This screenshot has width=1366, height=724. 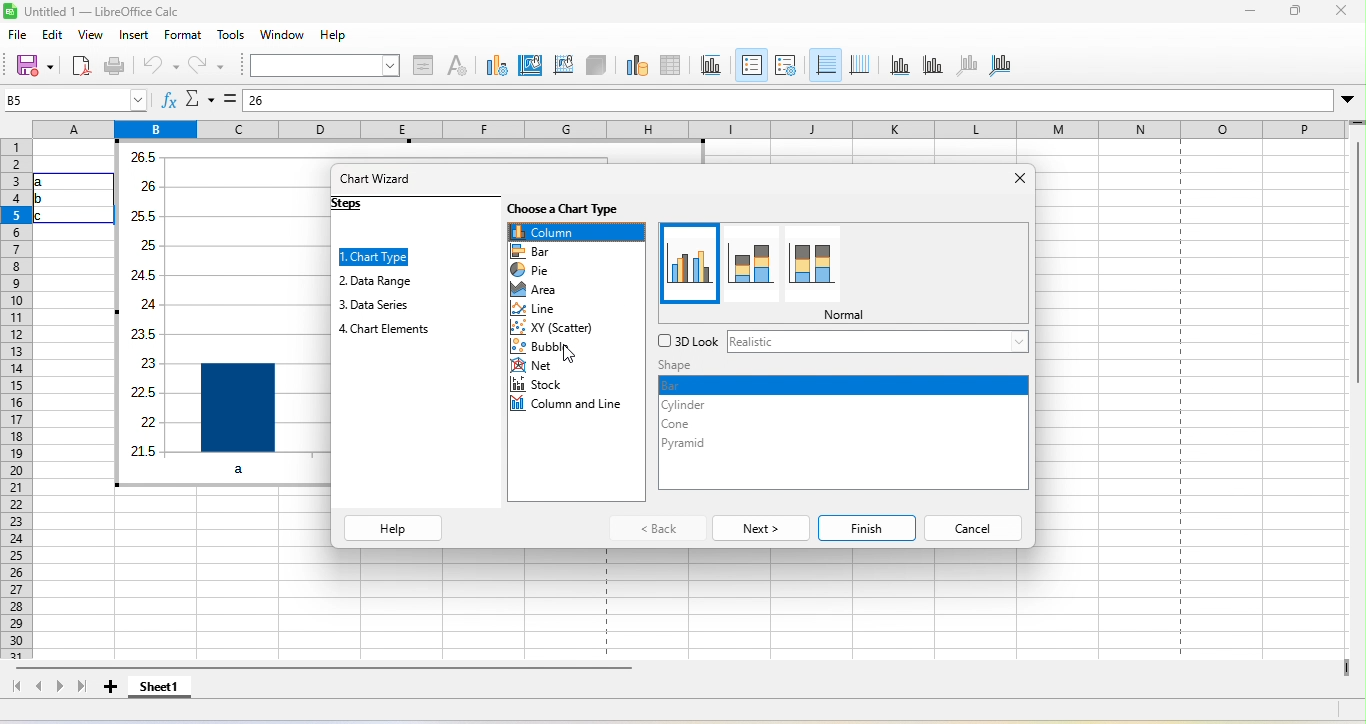 What do you see at coordinates (545, 291) in the screenshot?
I see `area` at bounding box center [545, 291].